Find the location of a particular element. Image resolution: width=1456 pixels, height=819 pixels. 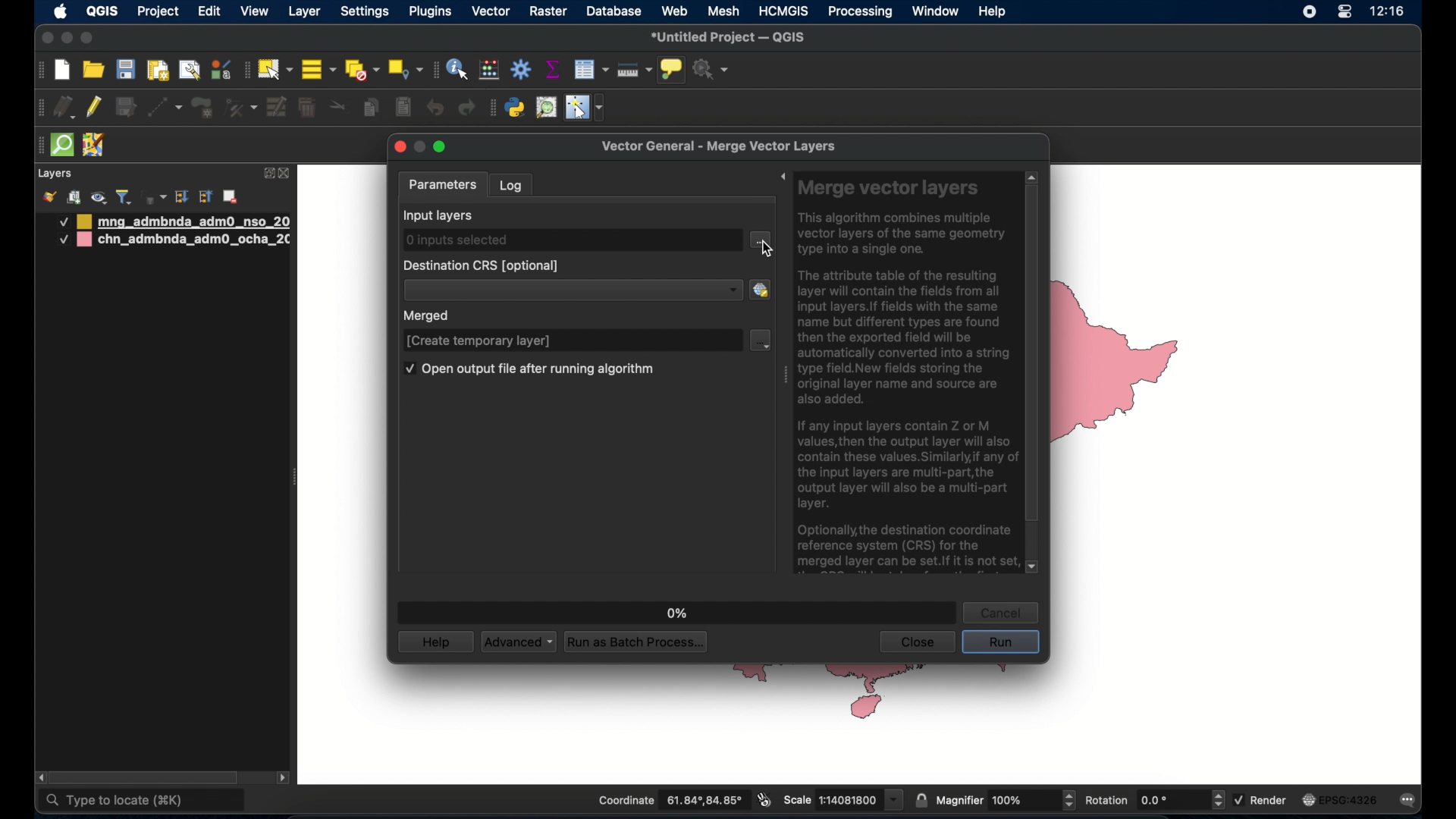

current edits is located at coordinates (66, 109).